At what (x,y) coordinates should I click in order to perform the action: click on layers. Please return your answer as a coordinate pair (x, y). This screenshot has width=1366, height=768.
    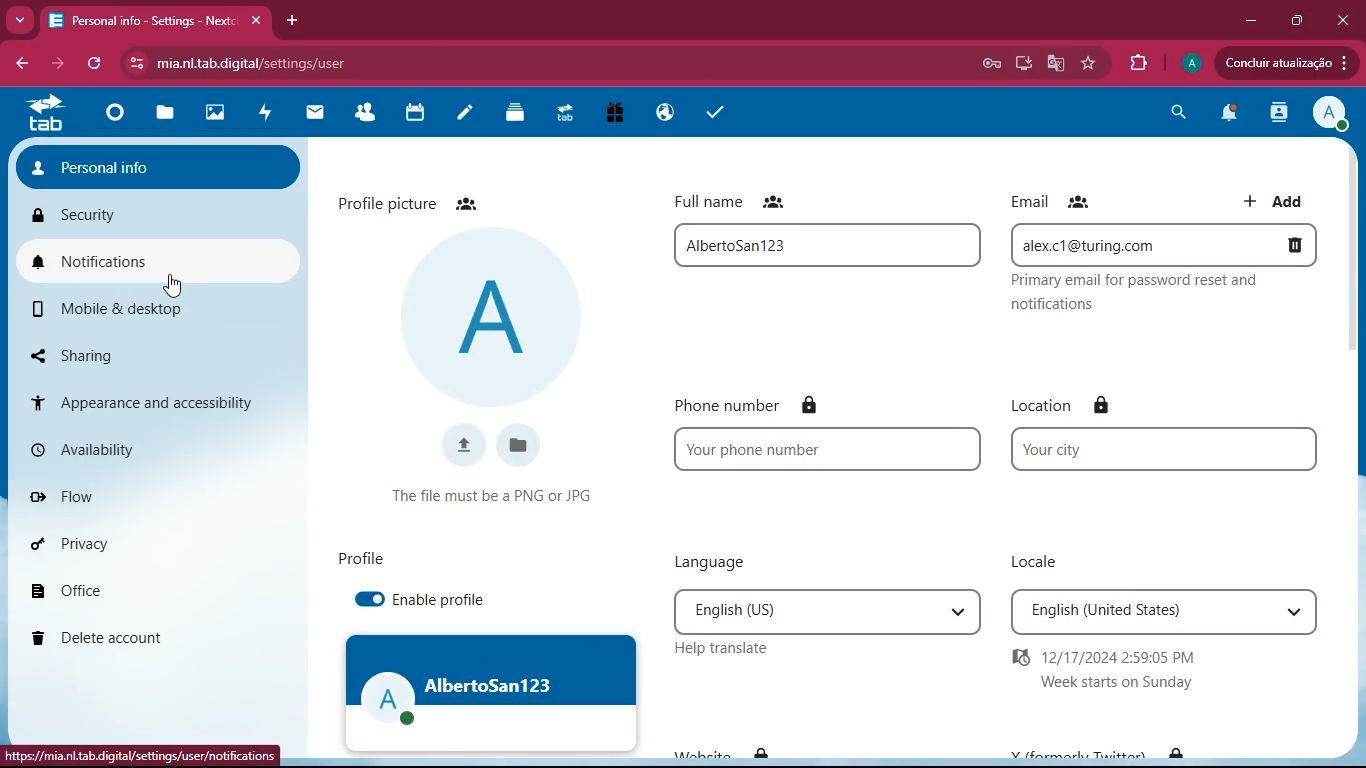
    Looking at the image, I should click on (510, 115).